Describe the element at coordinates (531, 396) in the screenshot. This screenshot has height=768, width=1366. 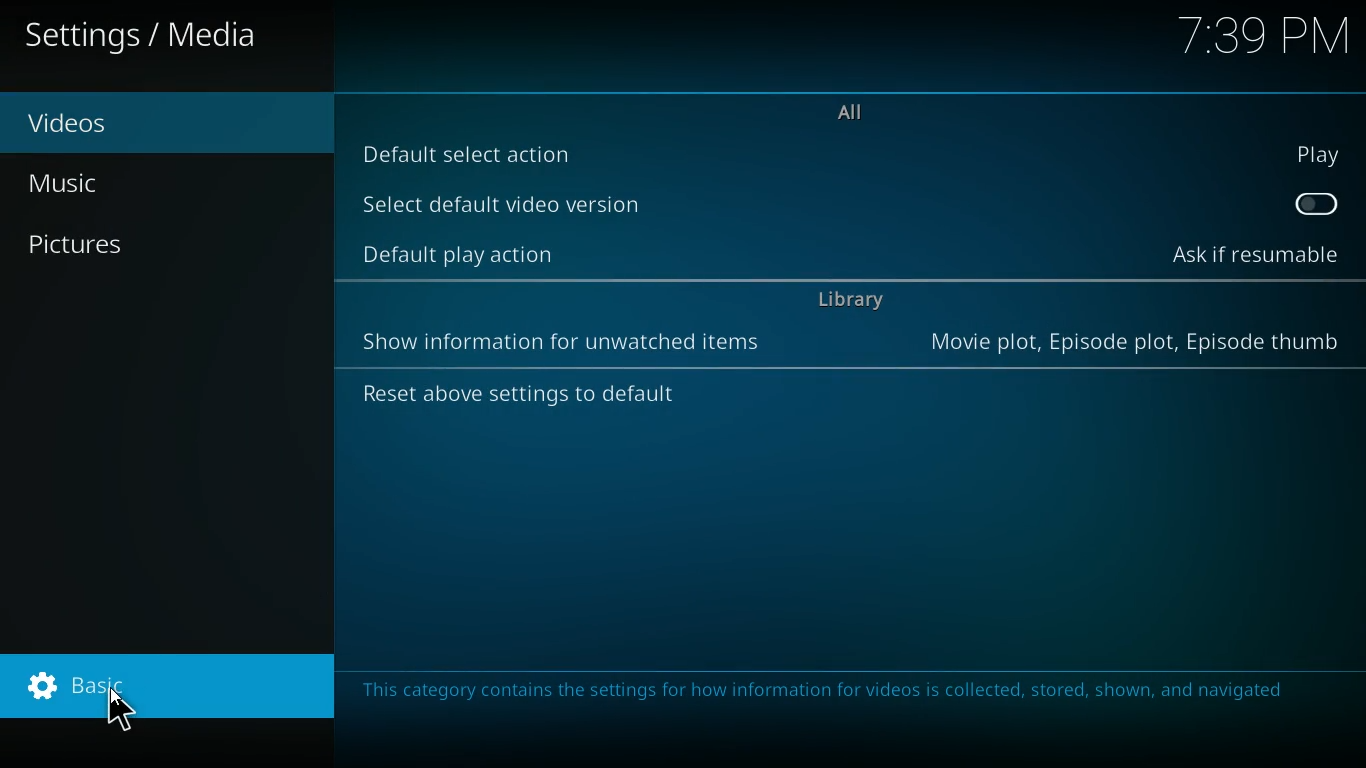
I see `reset` at that location.